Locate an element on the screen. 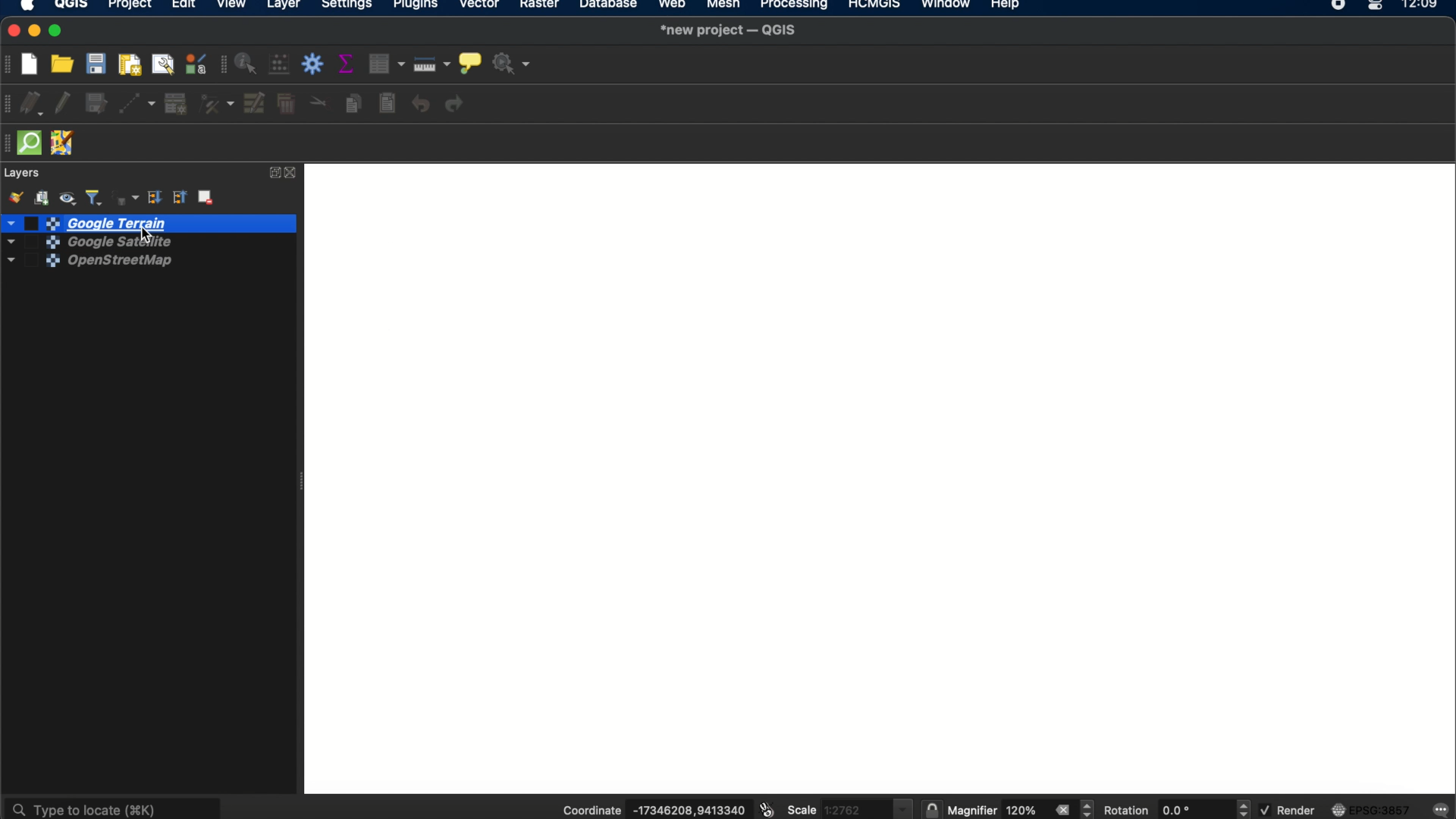  redo is located at coordinates (458, 105).